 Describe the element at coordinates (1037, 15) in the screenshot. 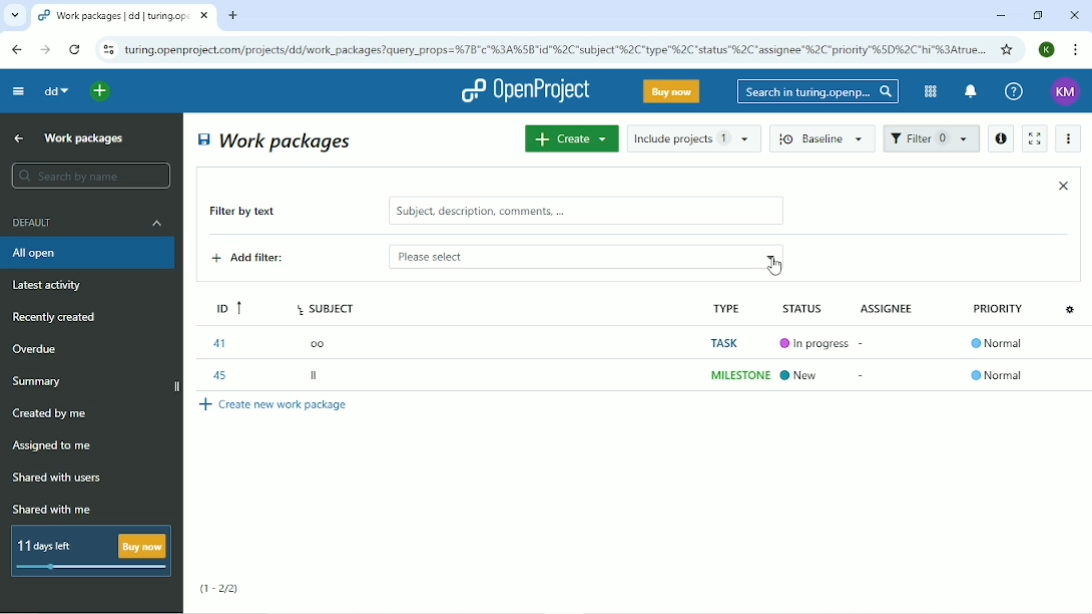

I see `Restore down` at that location.